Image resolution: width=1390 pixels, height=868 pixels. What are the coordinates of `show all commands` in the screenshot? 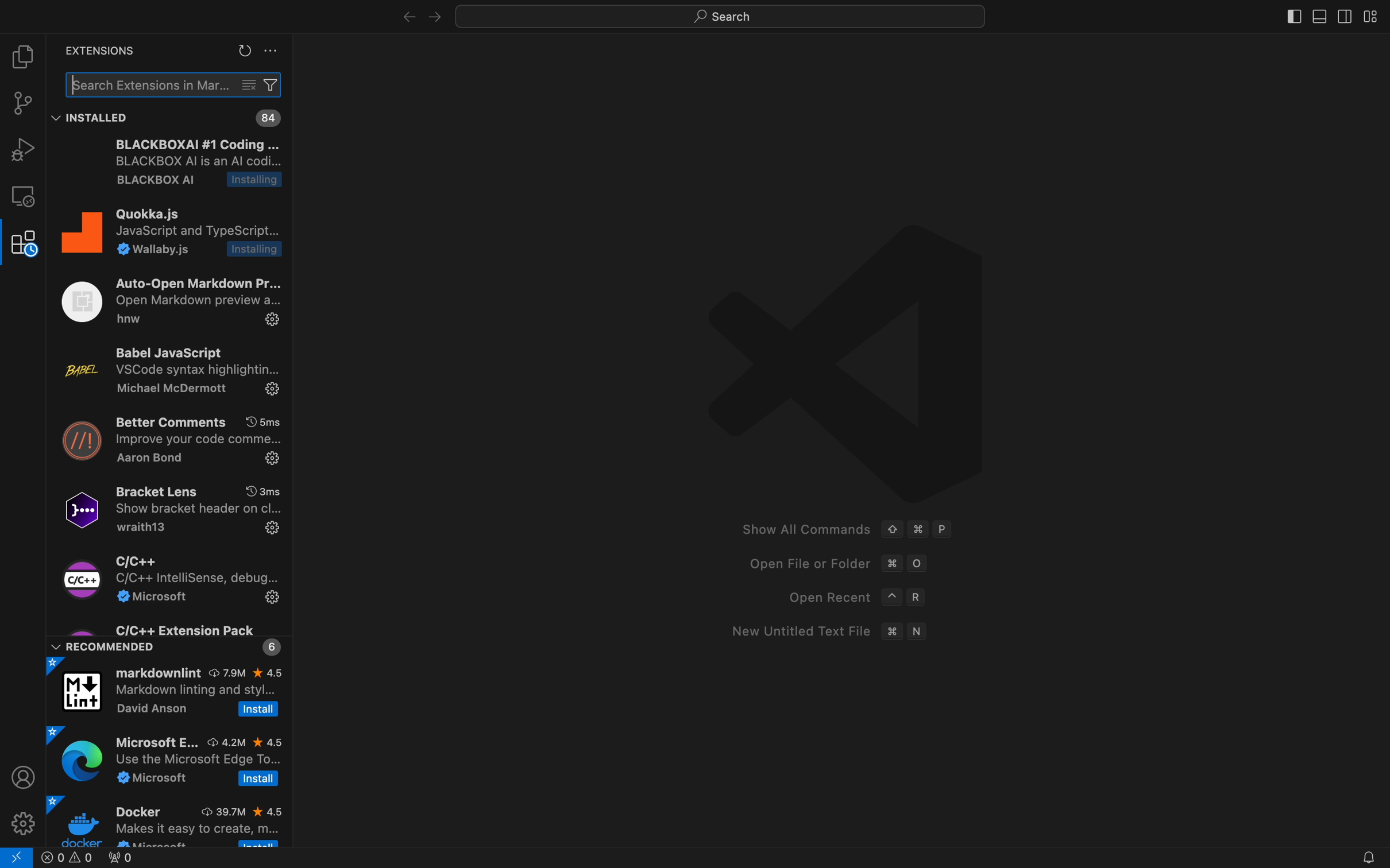 It's located at (856, 531).